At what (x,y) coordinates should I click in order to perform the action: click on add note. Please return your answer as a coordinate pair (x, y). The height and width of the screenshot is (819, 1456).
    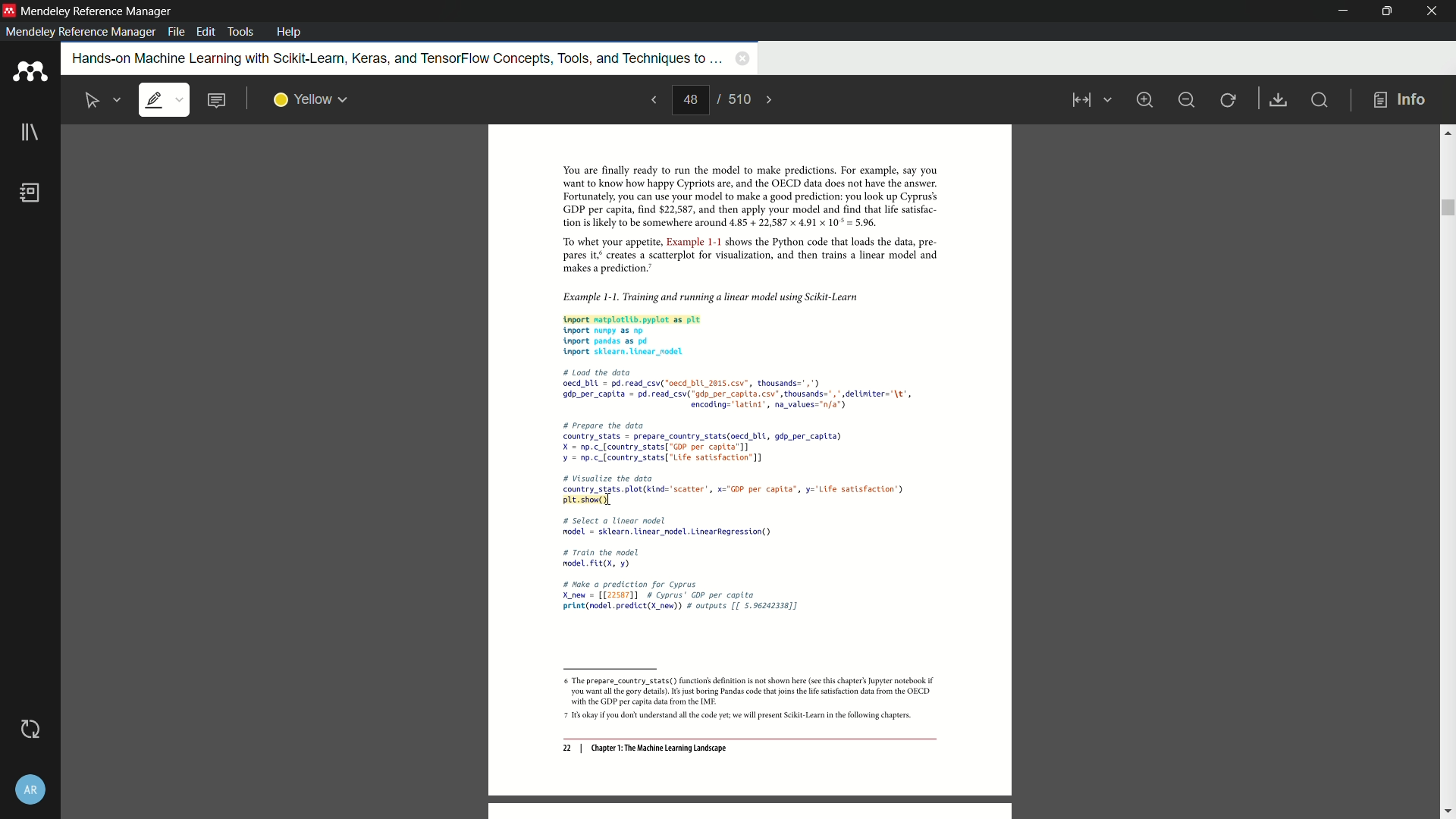
    Looking at the image, I should click on (215, 101).